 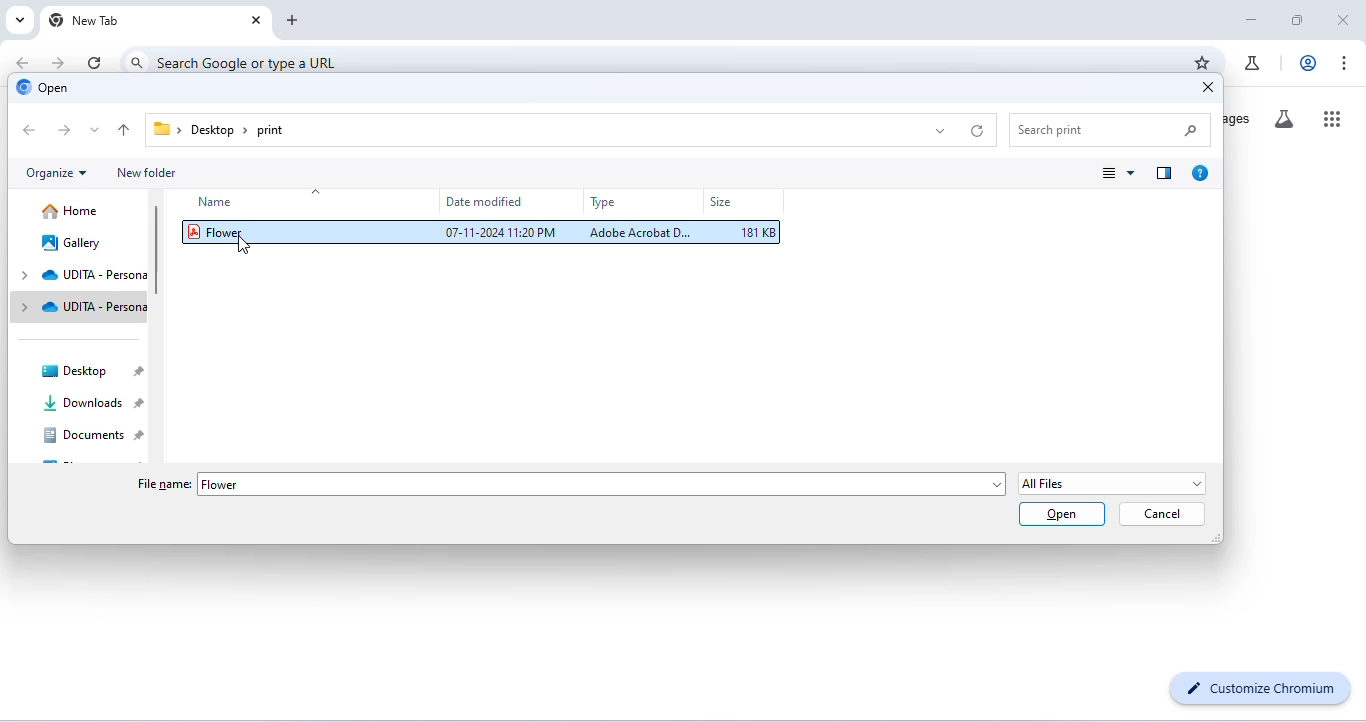 I want to click on drop down, so click(x=319, y=193).